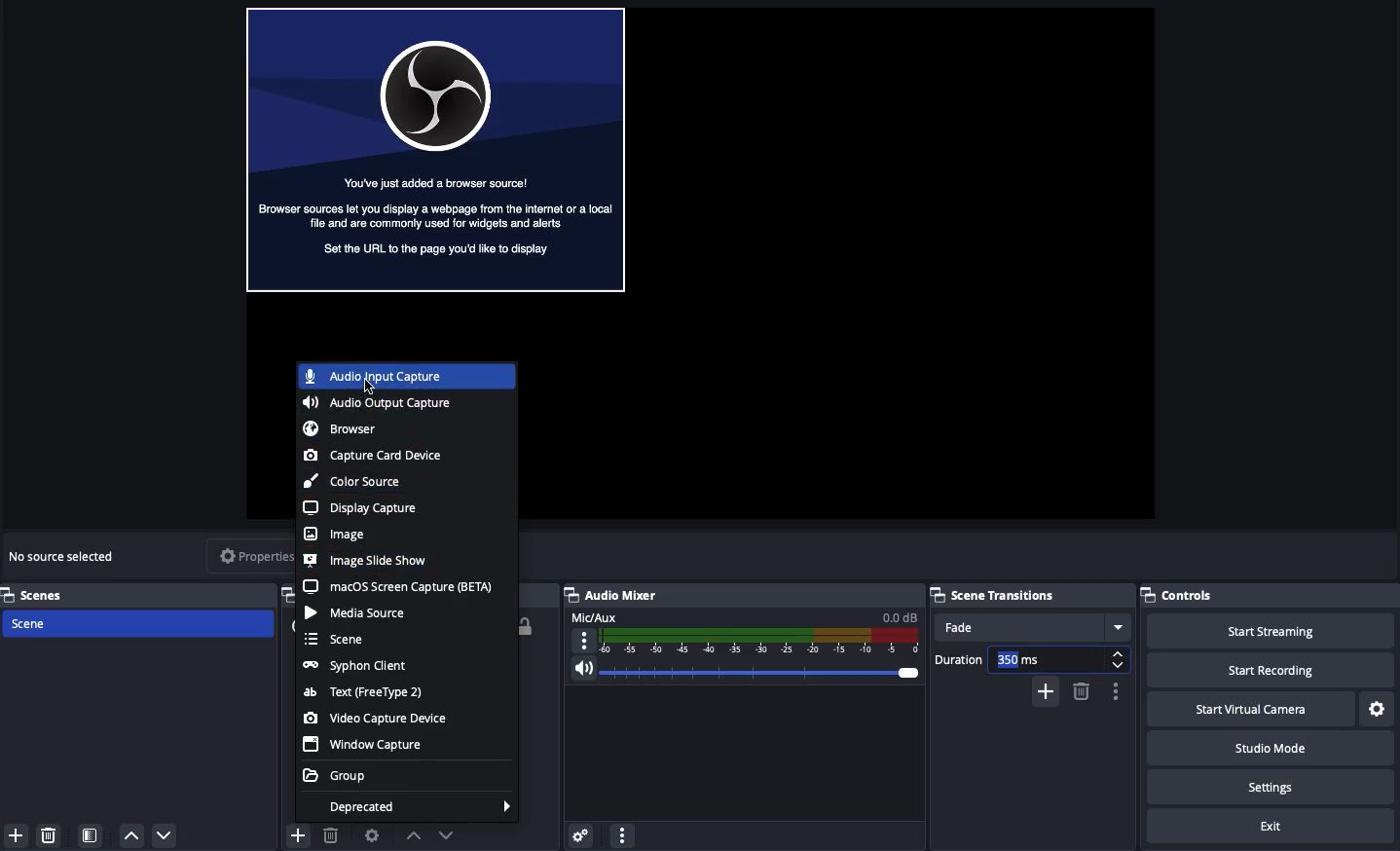 The image size is (1400, 851). Describe the element at coordinates (446, 834) in the screenshot. I see `Move down` at that location.